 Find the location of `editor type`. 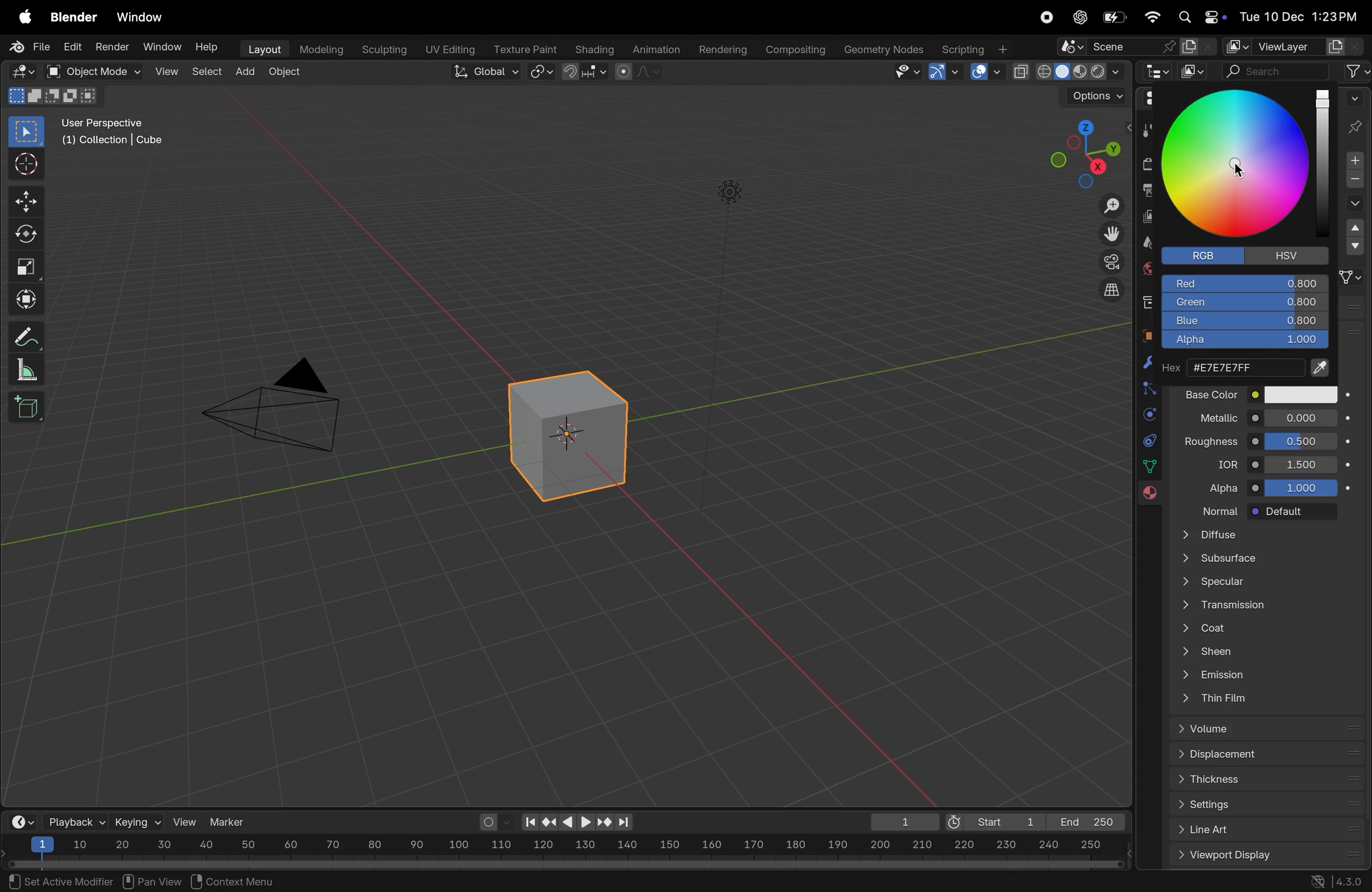

editor type is located at coordinates (1150, 101).